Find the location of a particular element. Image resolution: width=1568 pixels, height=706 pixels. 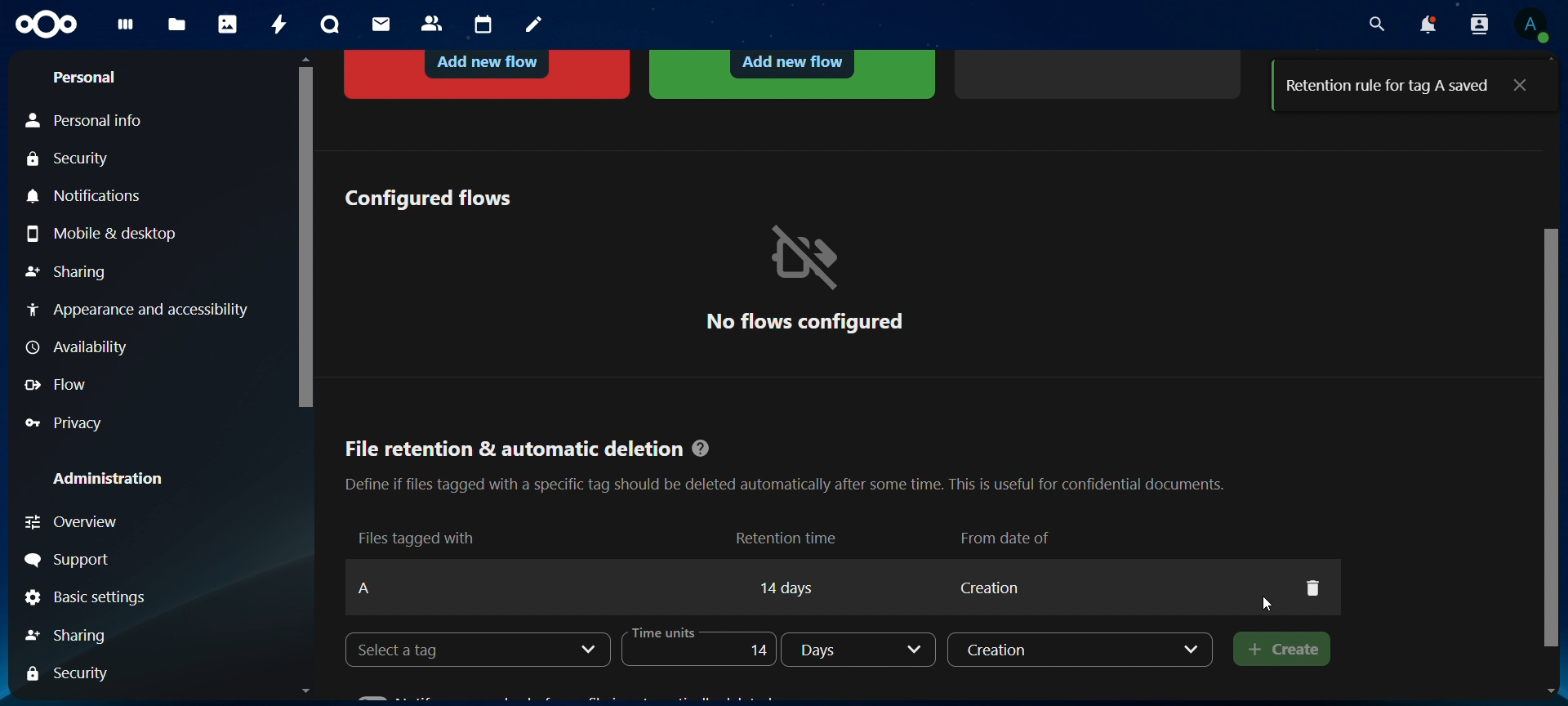

automated tagging  is located at coordinates (792, 73).